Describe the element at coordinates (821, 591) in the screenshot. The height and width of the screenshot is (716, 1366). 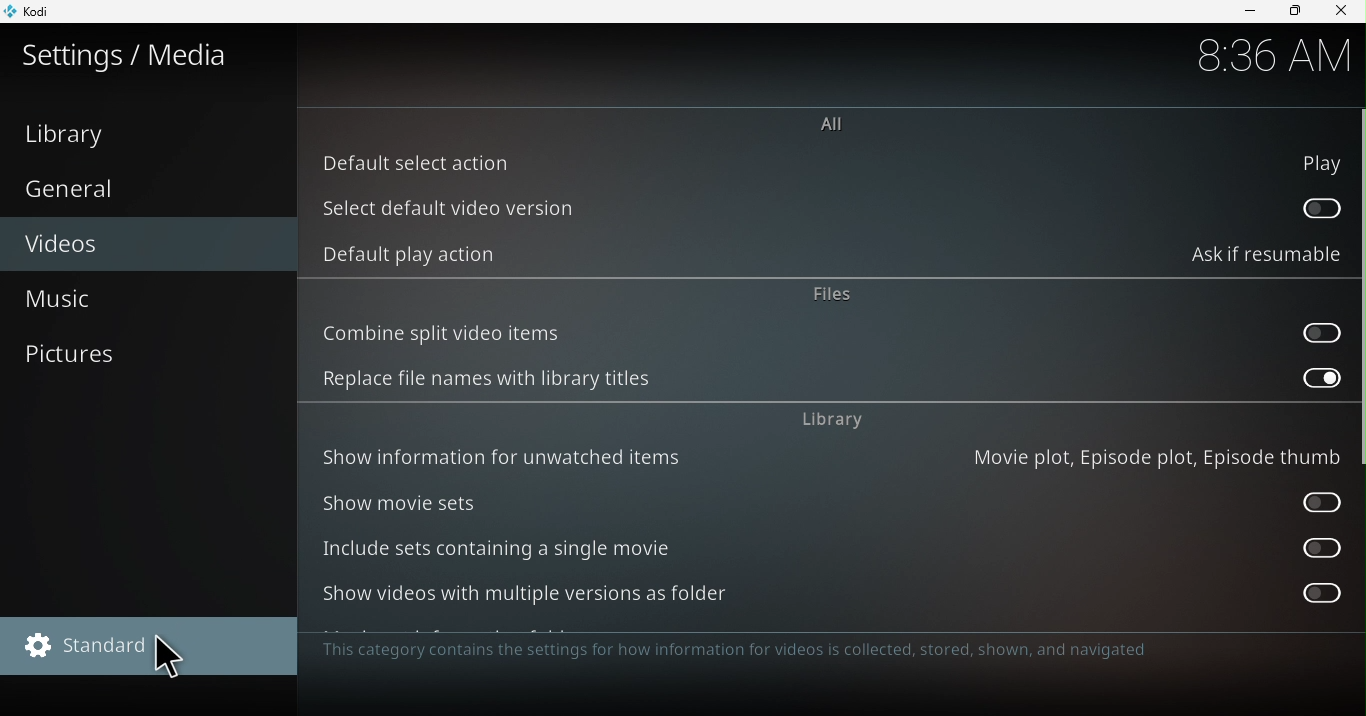
I see `Show videos with multiple versions as folder` at that location.